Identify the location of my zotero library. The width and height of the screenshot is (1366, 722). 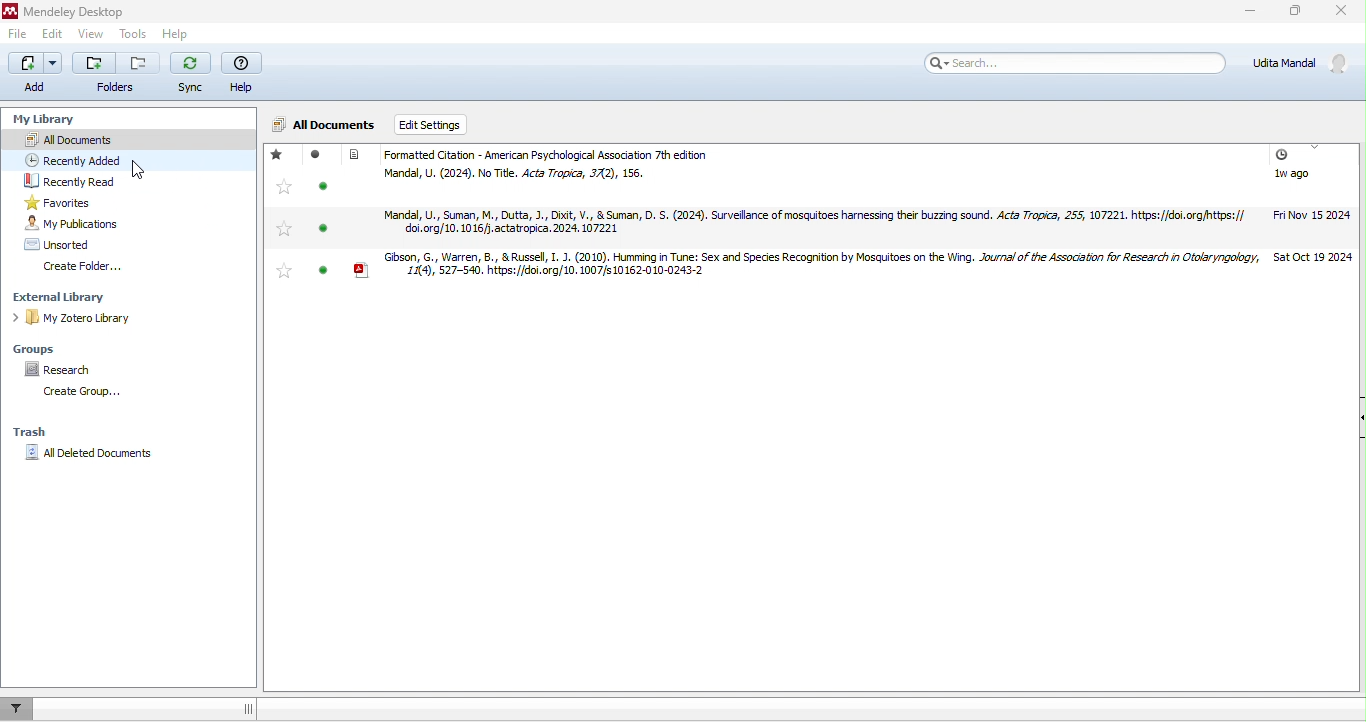
(83, 318).